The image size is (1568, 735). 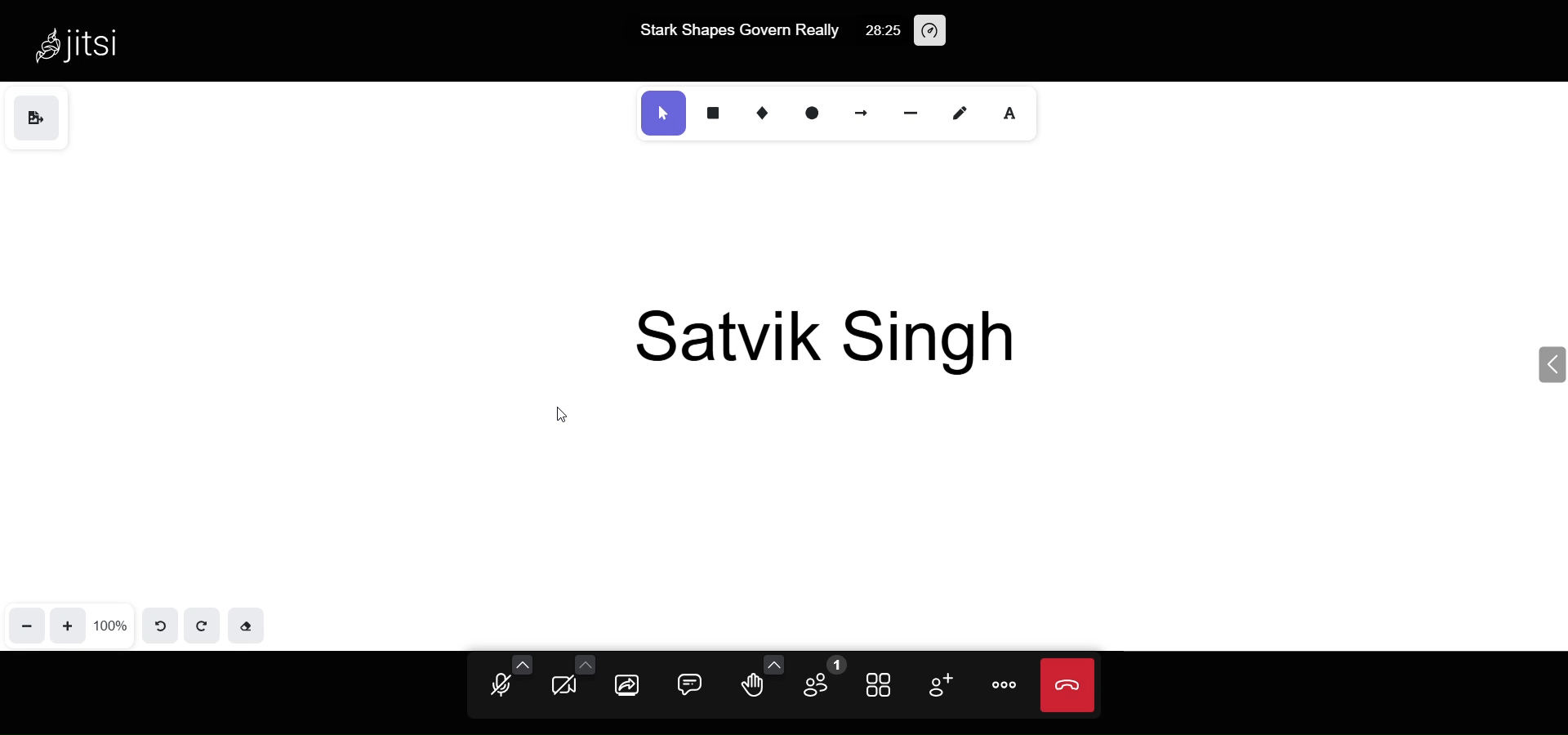 What do you see at coordinates (583, 664) in the screenshot?
I see `more camera option` at bounding box center [583, 664].